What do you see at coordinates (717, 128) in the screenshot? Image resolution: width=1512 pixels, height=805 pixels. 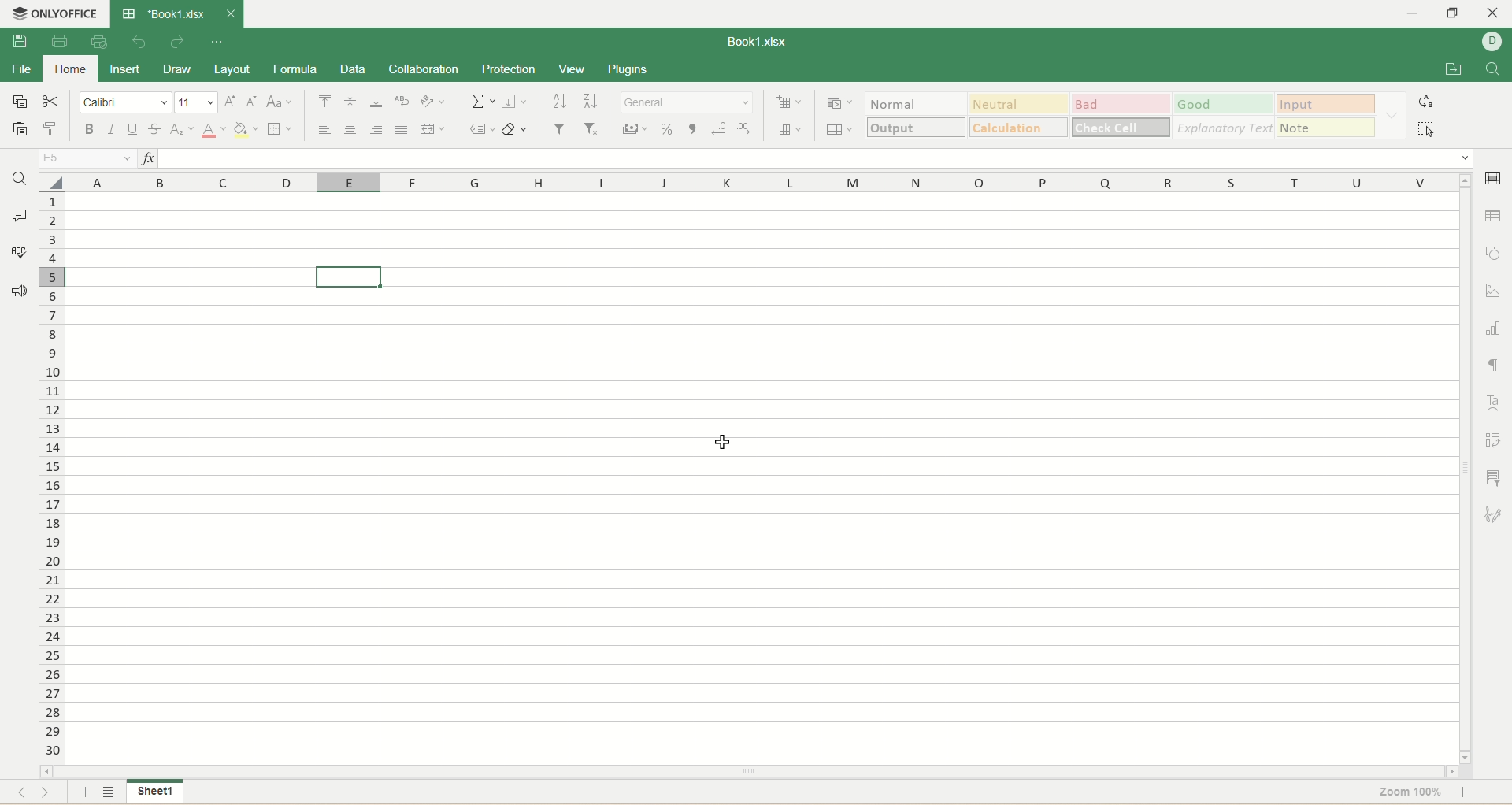 I see `decrease decimal` at bounding box center [717, 128].